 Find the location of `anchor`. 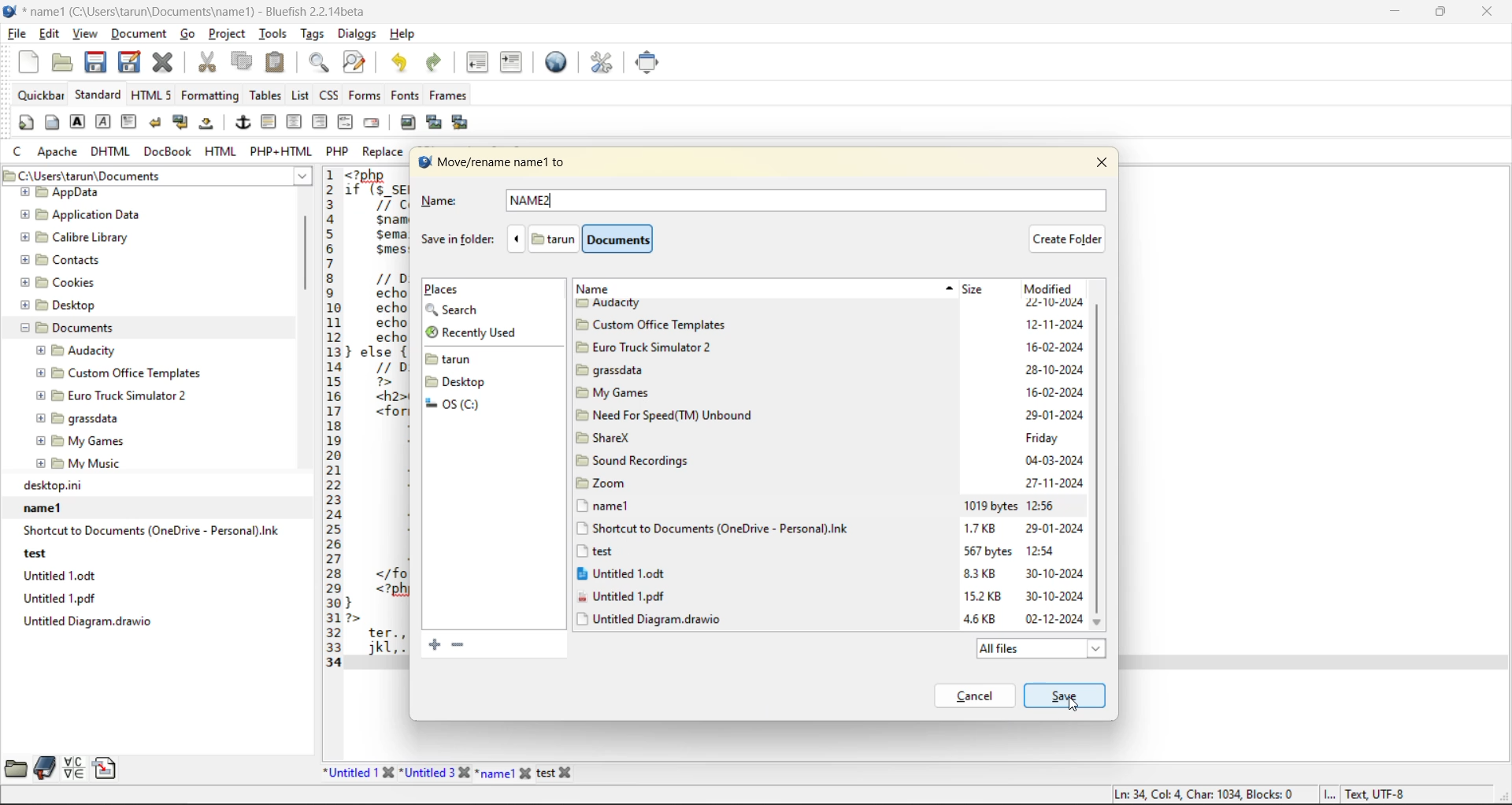

anchor is located at coordinates (243, 124).